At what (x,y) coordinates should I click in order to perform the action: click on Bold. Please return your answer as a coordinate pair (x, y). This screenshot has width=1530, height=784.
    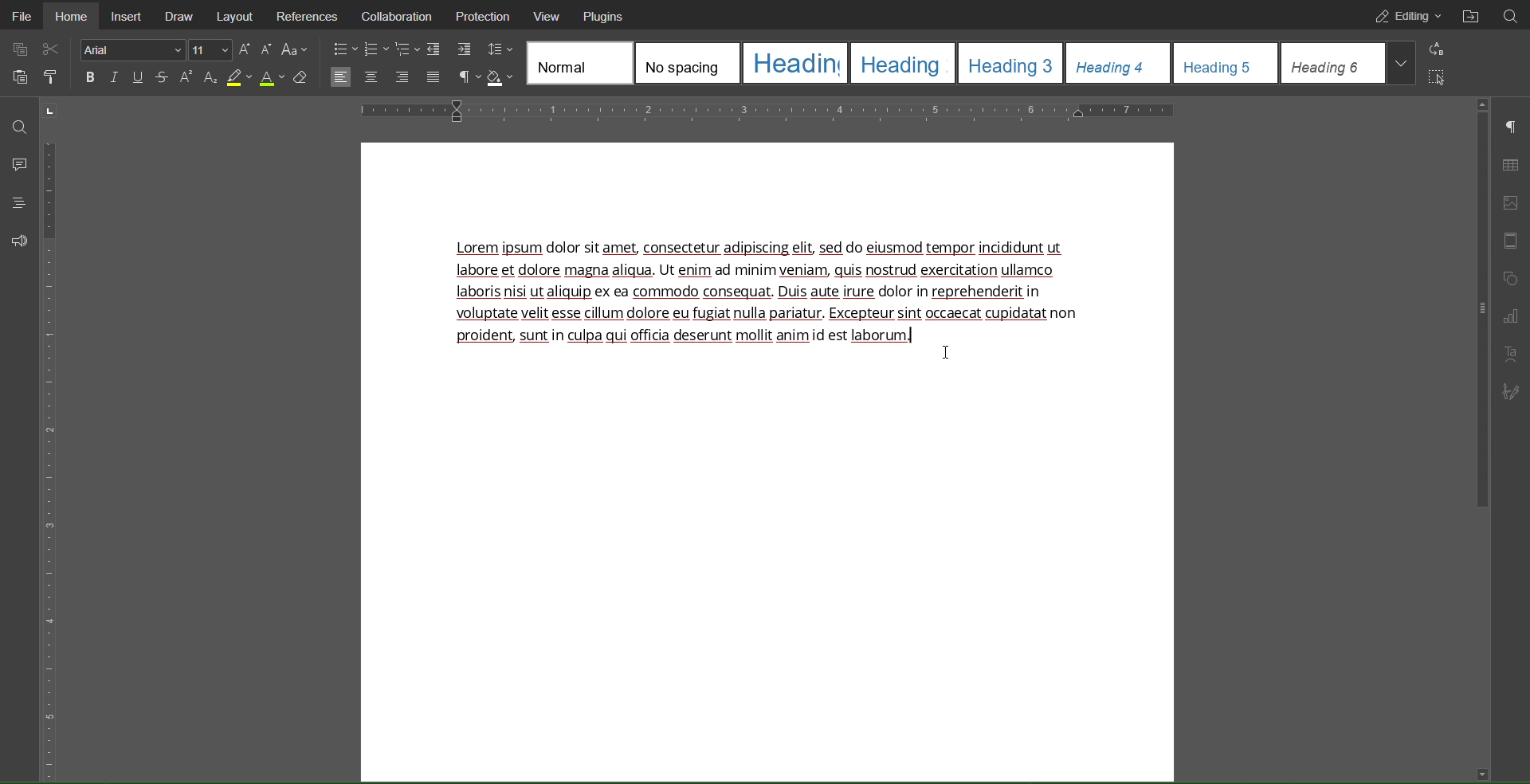
    Looking at the image, I should click on (90, 80).